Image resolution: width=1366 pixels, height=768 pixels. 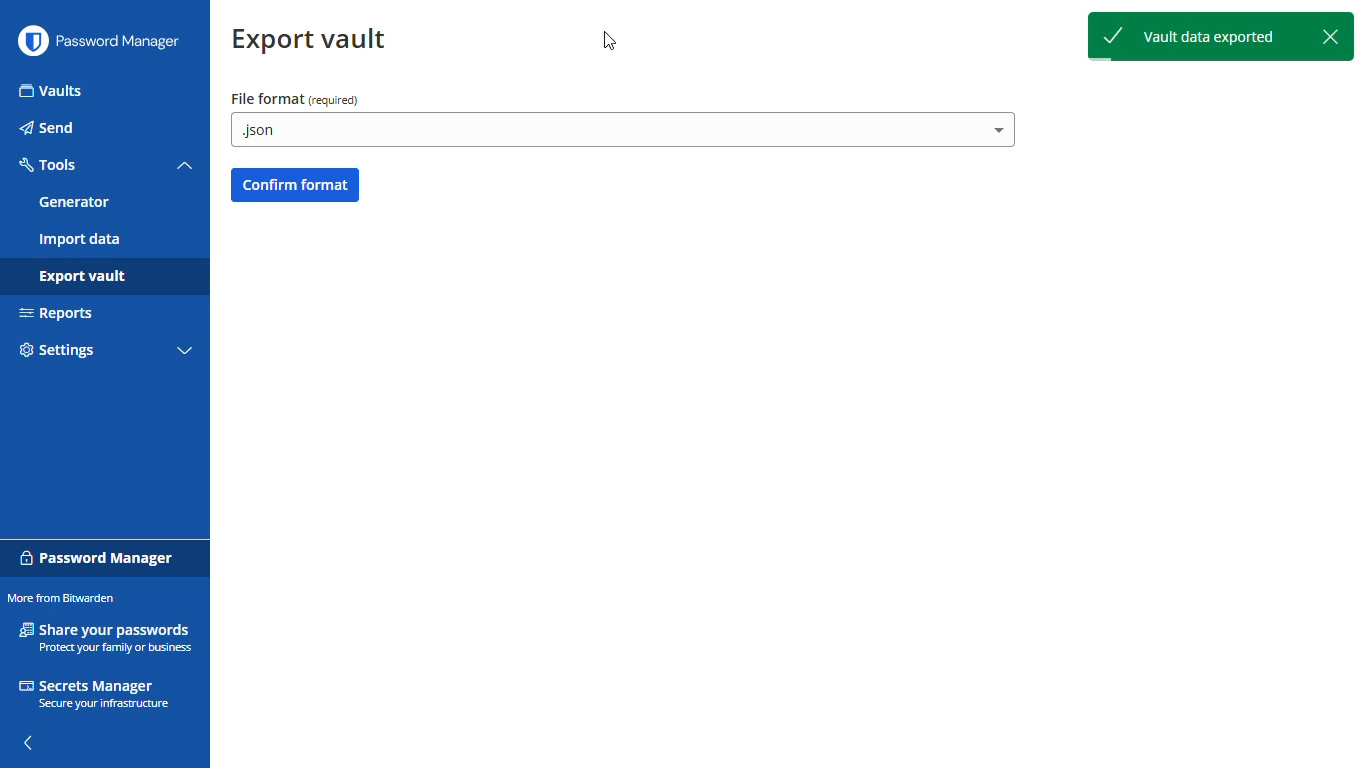 What do you see at coordinates (57, 351) in the screenshot?
I see `settings` at bounding box center [57, 351].